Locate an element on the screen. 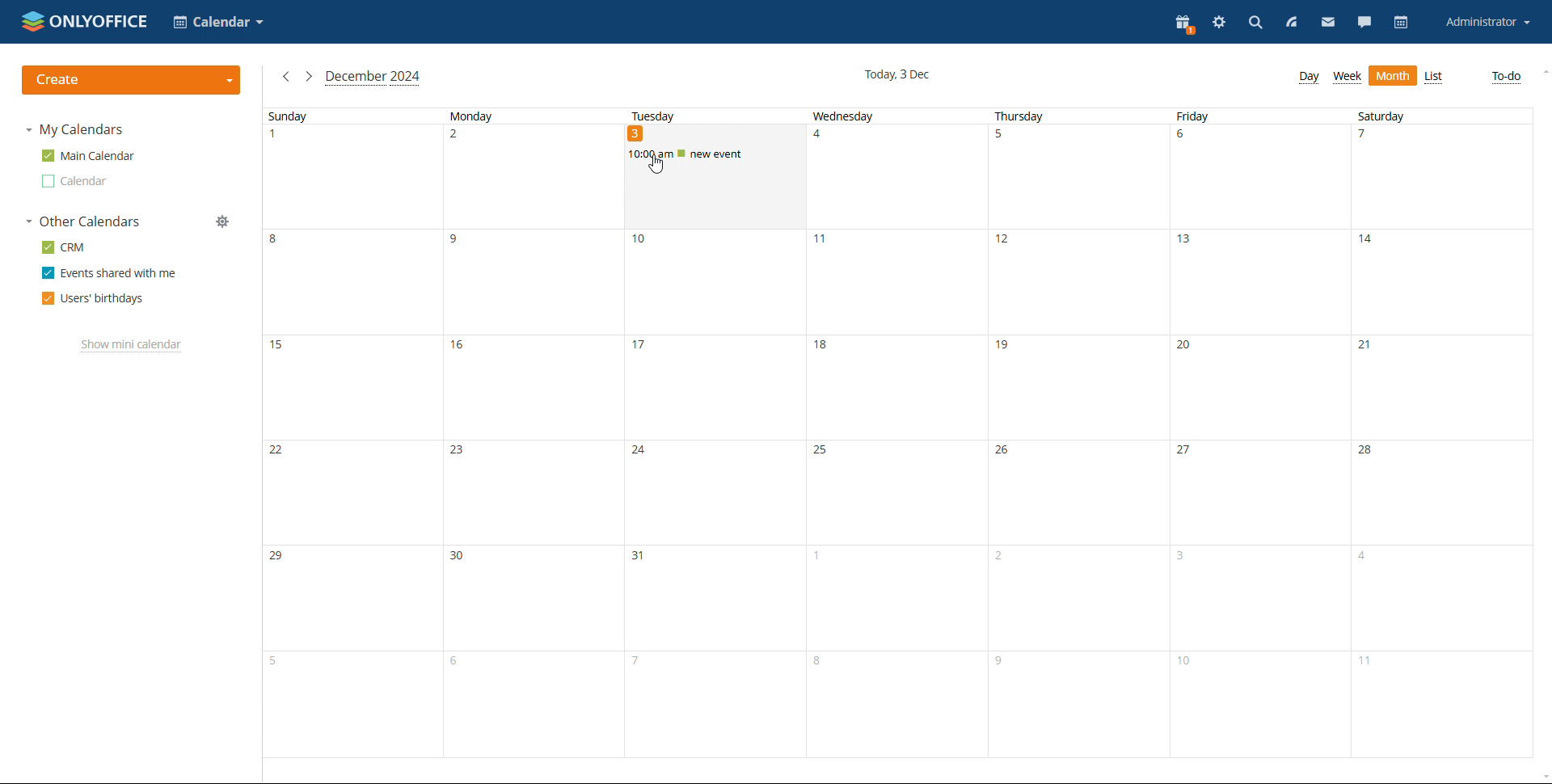 This screenshot has width=1552, height=784. 4 is located at coordinates (1445, 597).